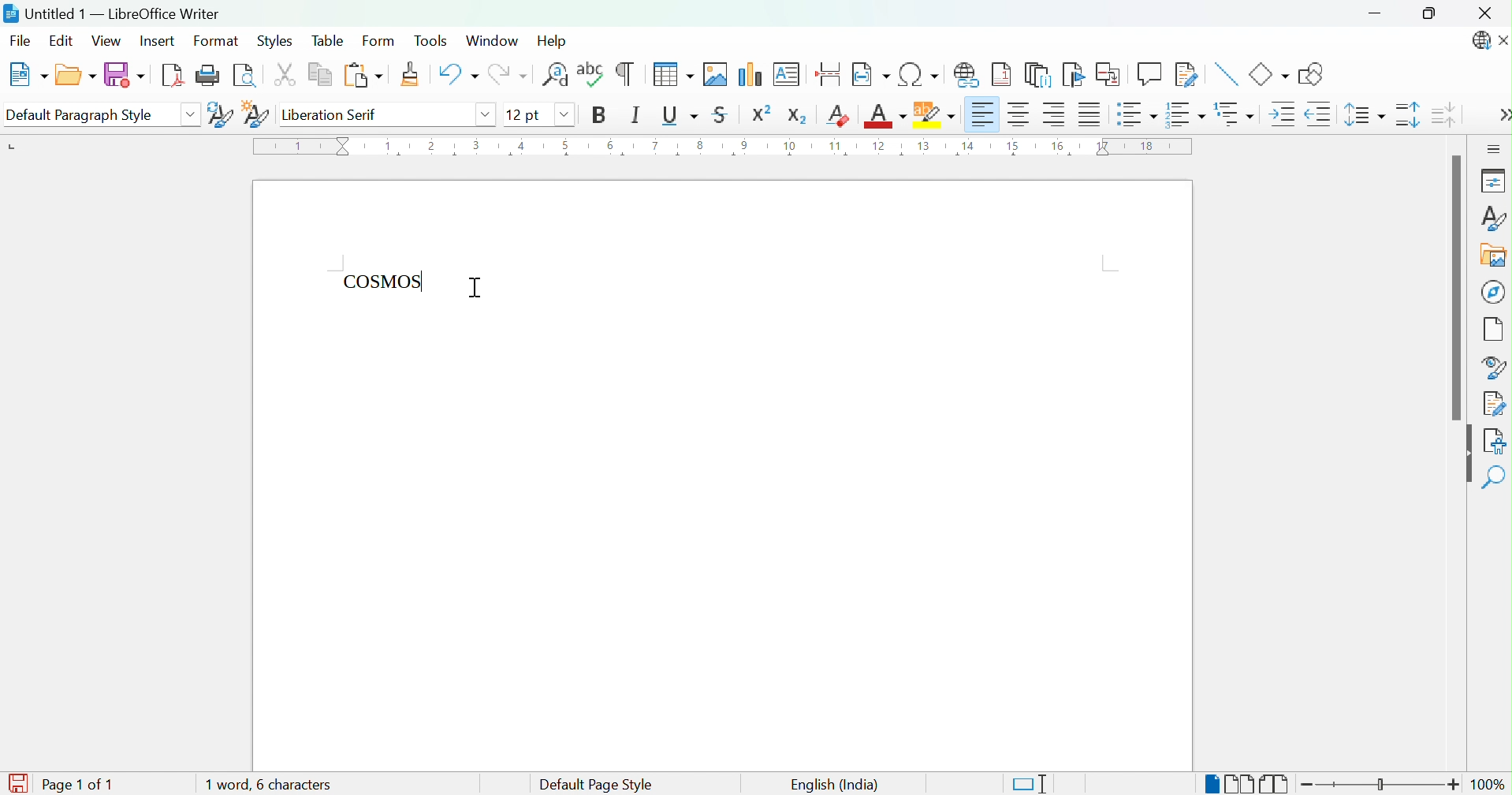  I want to click on Gallery, so click(1492, 257).